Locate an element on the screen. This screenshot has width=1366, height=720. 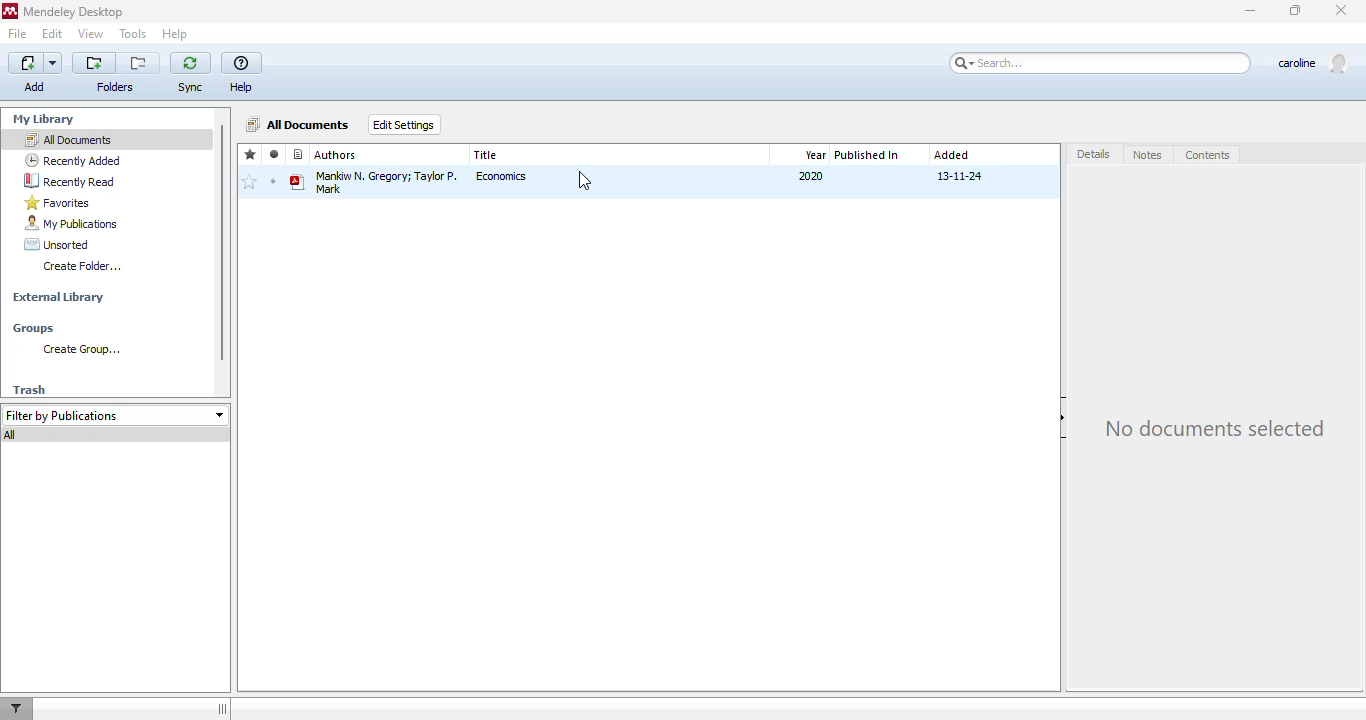
remove the current folder is located at coordinates (138, 63).